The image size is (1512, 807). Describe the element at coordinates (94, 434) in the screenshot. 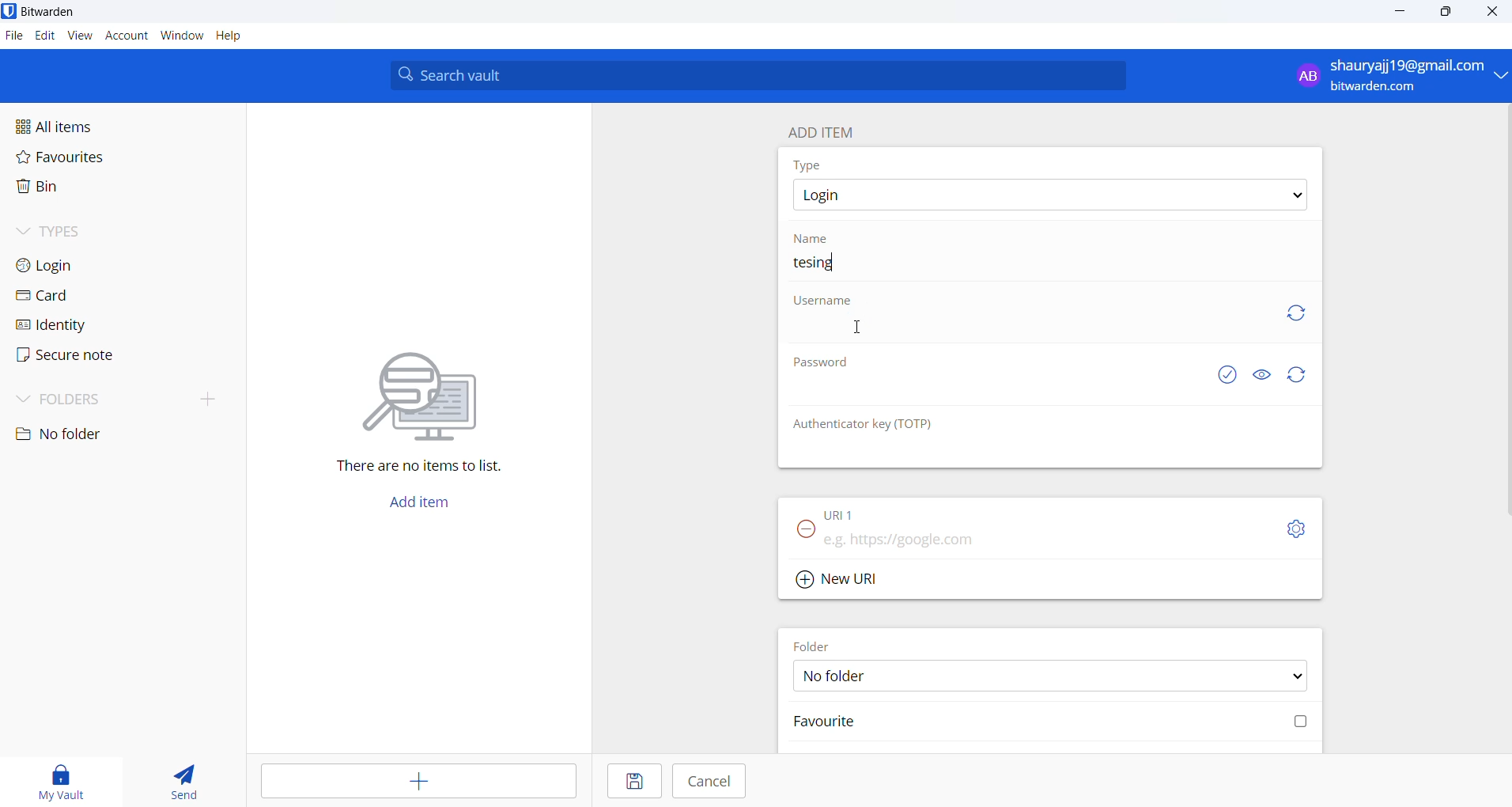

I see `no folder` at that location.